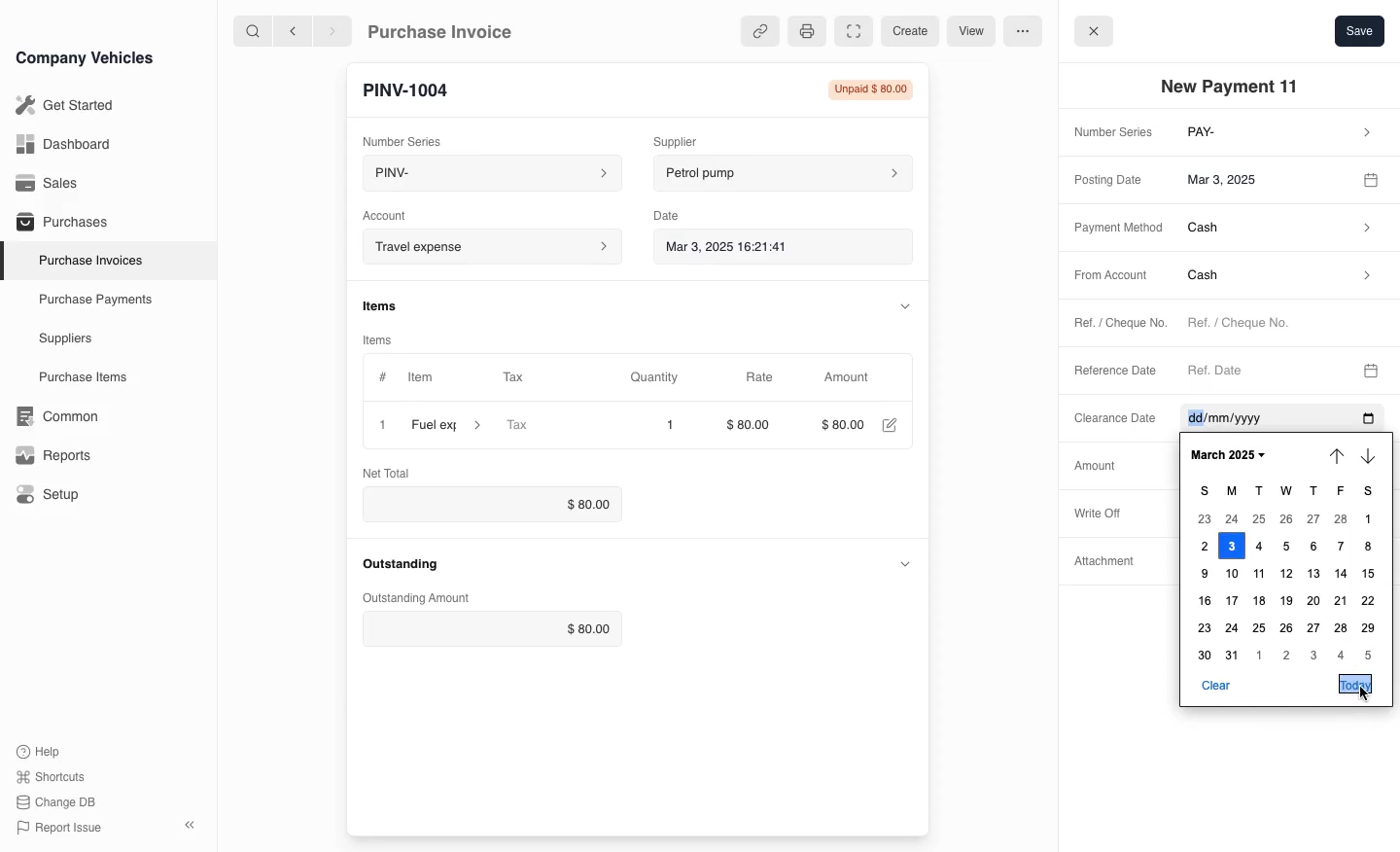 The width and height of the screenshot is (1400, 852). Describe the element at coordinates (378, 424) in the screenshot. I see `close` at that location.